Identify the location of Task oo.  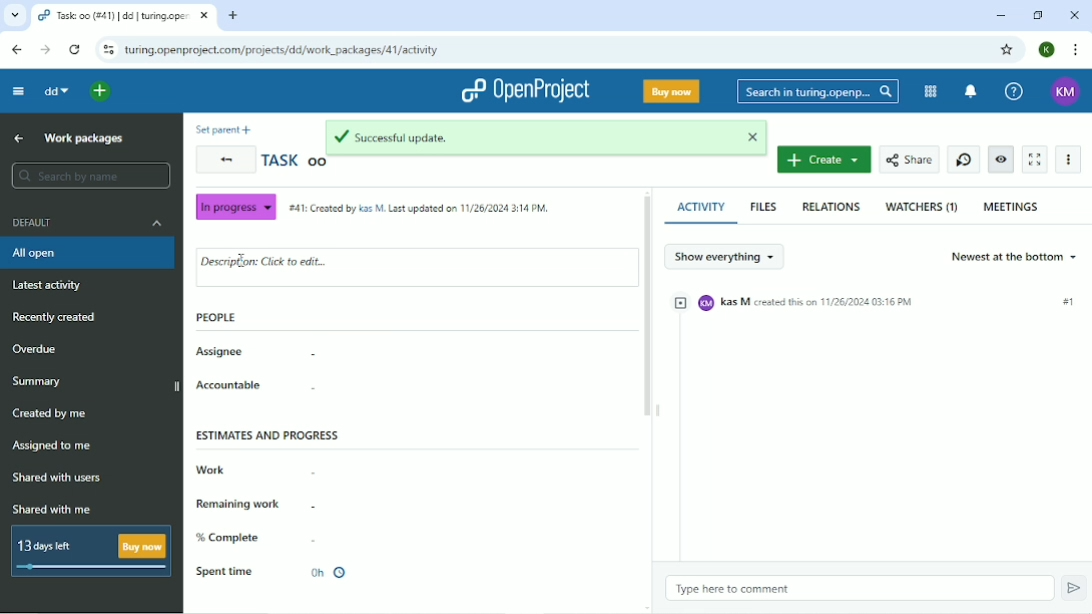
(292, 163).